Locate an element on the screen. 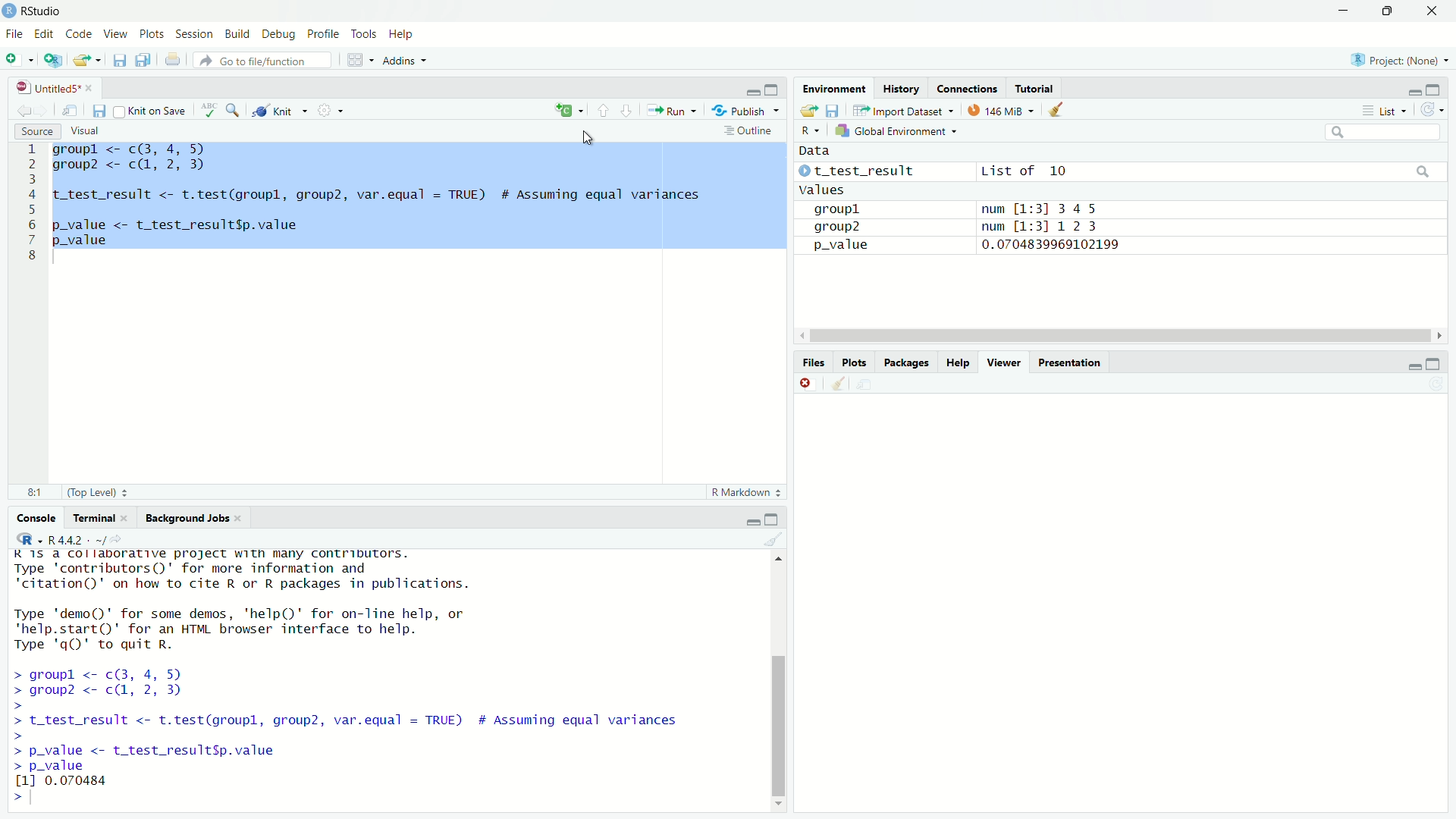 The width and height of the screenshot is (1456, 819). close is located at coordinates (807, 383).